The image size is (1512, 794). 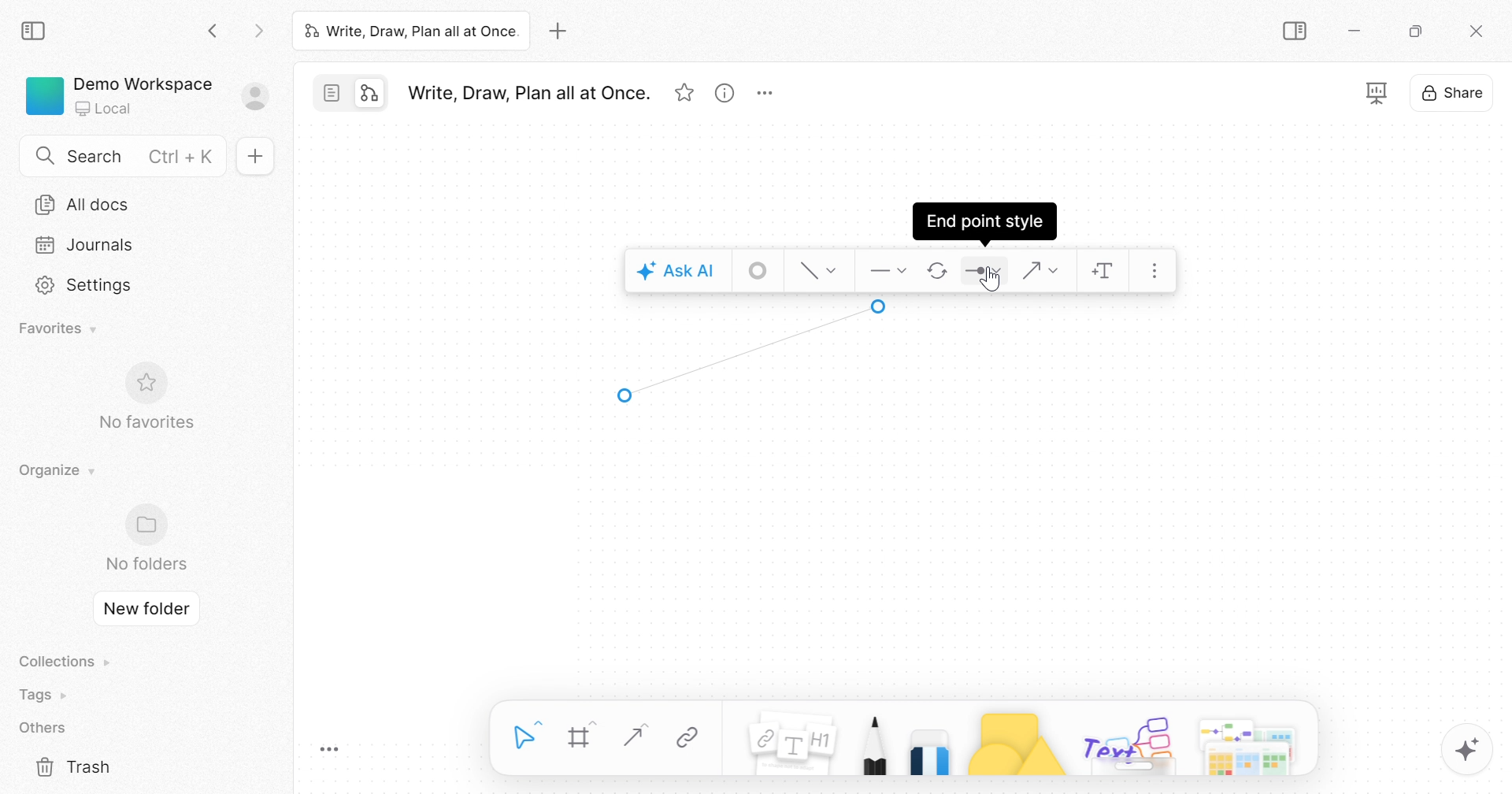 What do you see at coordinates (45, 95) in the screenshot?
I see `Green color` at bounding box center [45, 95].